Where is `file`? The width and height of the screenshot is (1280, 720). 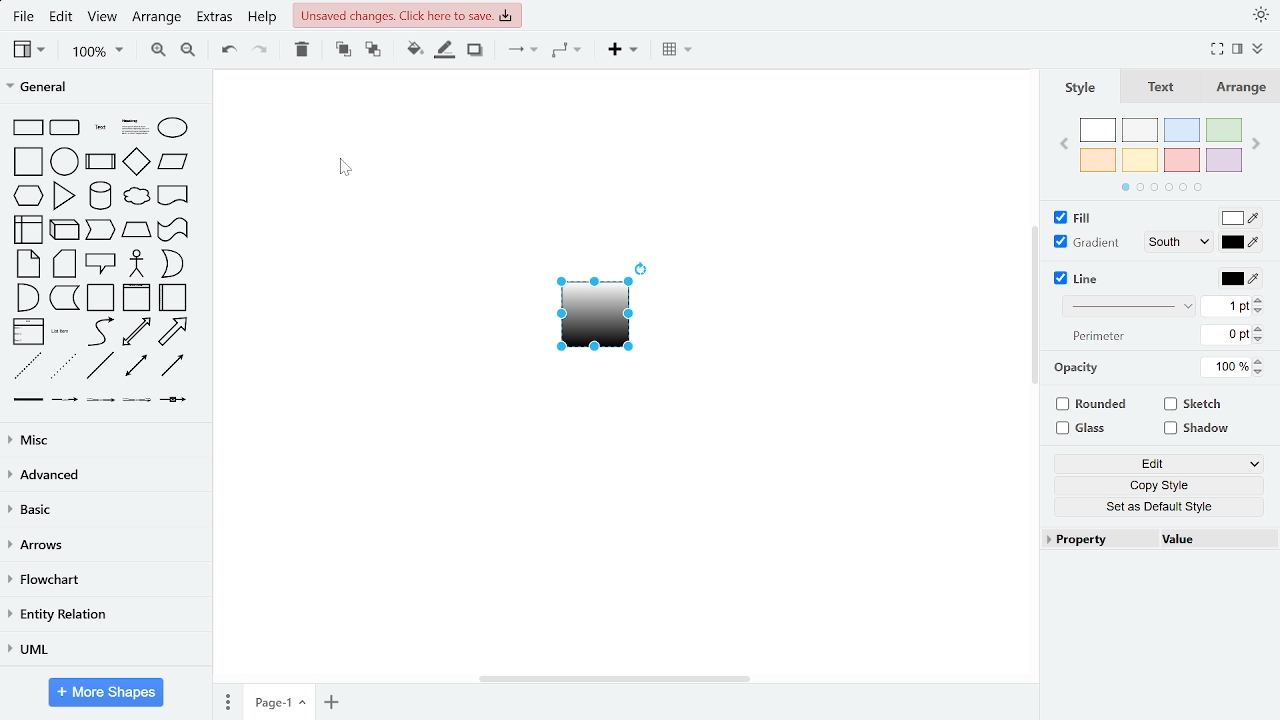 file is located at coordinates (22, 17).